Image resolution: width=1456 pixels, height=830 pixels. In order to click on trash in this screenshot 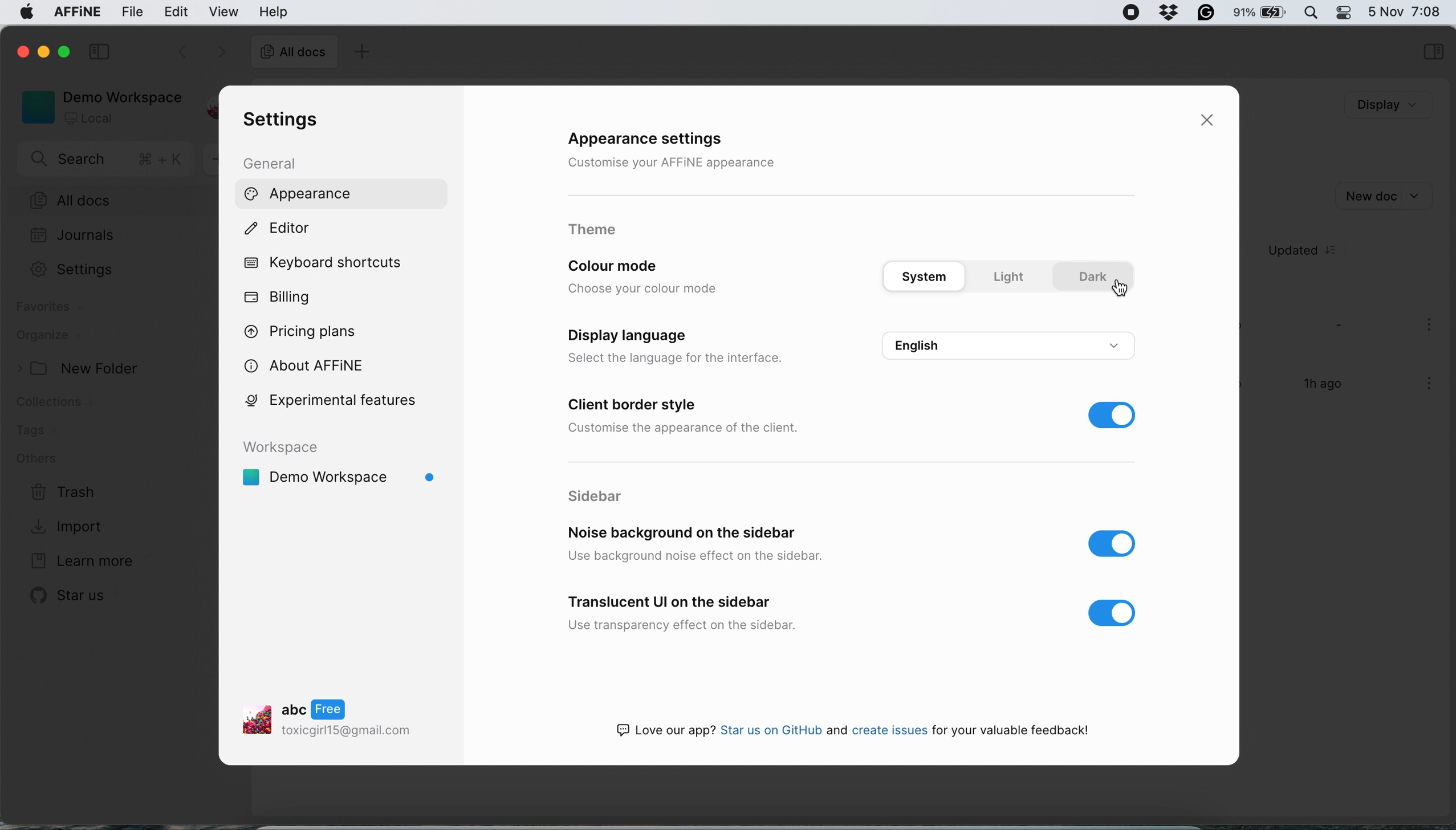, I will do `click(66, 494)`.